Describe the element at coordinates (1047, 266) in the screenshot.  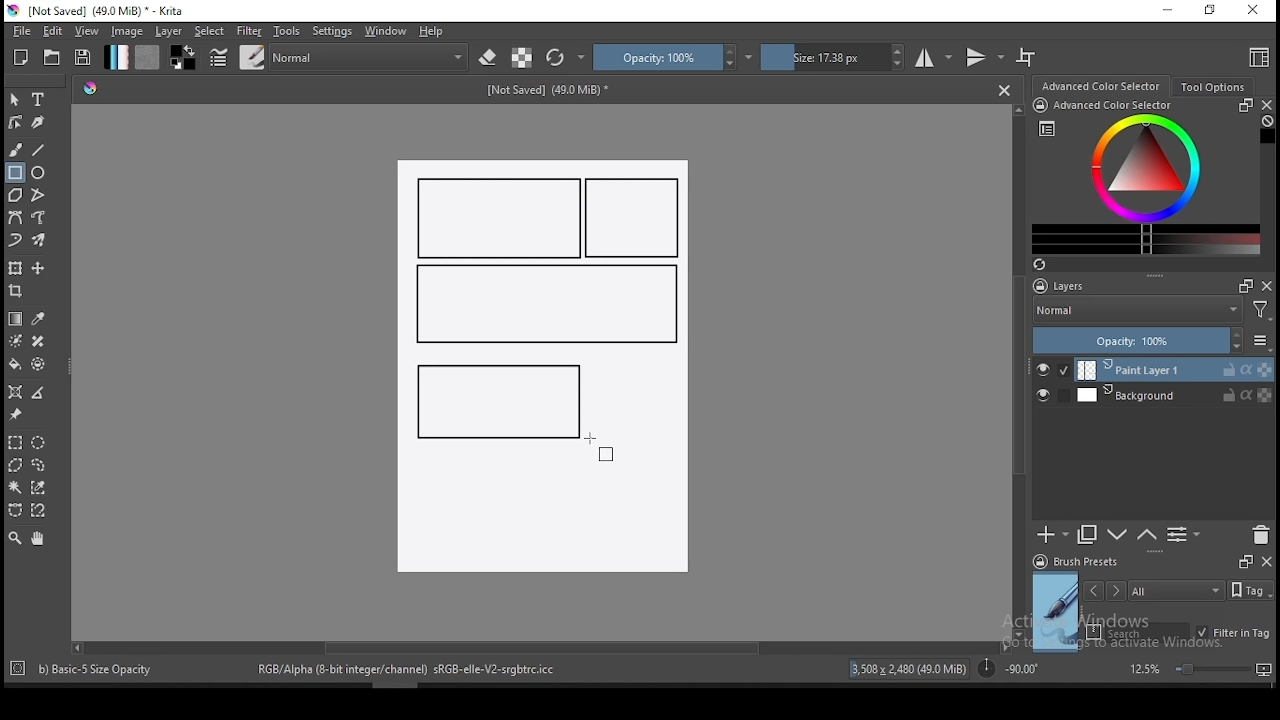
I see `Refresh` at that location.